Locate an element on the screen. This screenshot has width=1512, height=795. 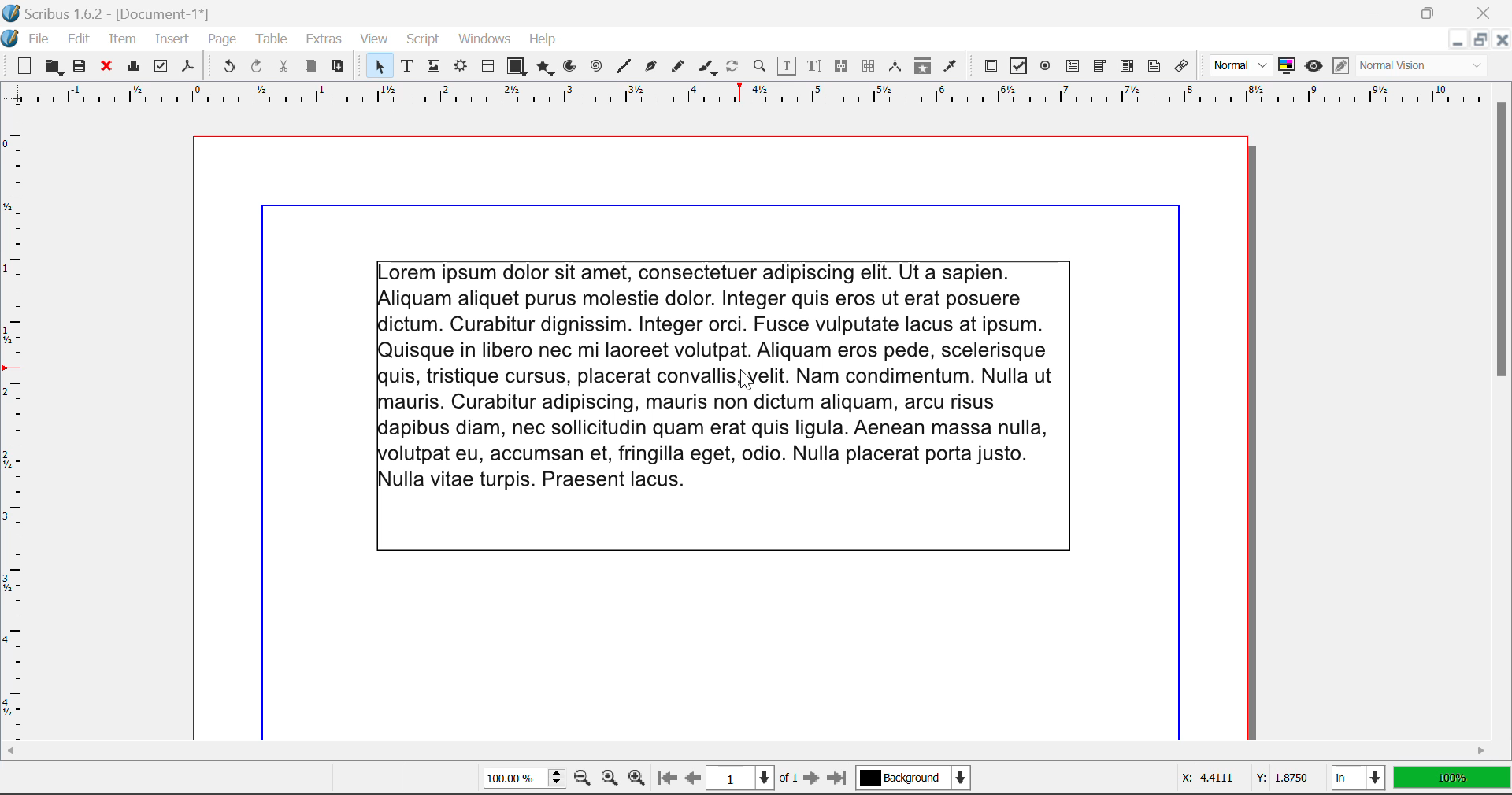
Image Frame is located at coordinates (433, 68).